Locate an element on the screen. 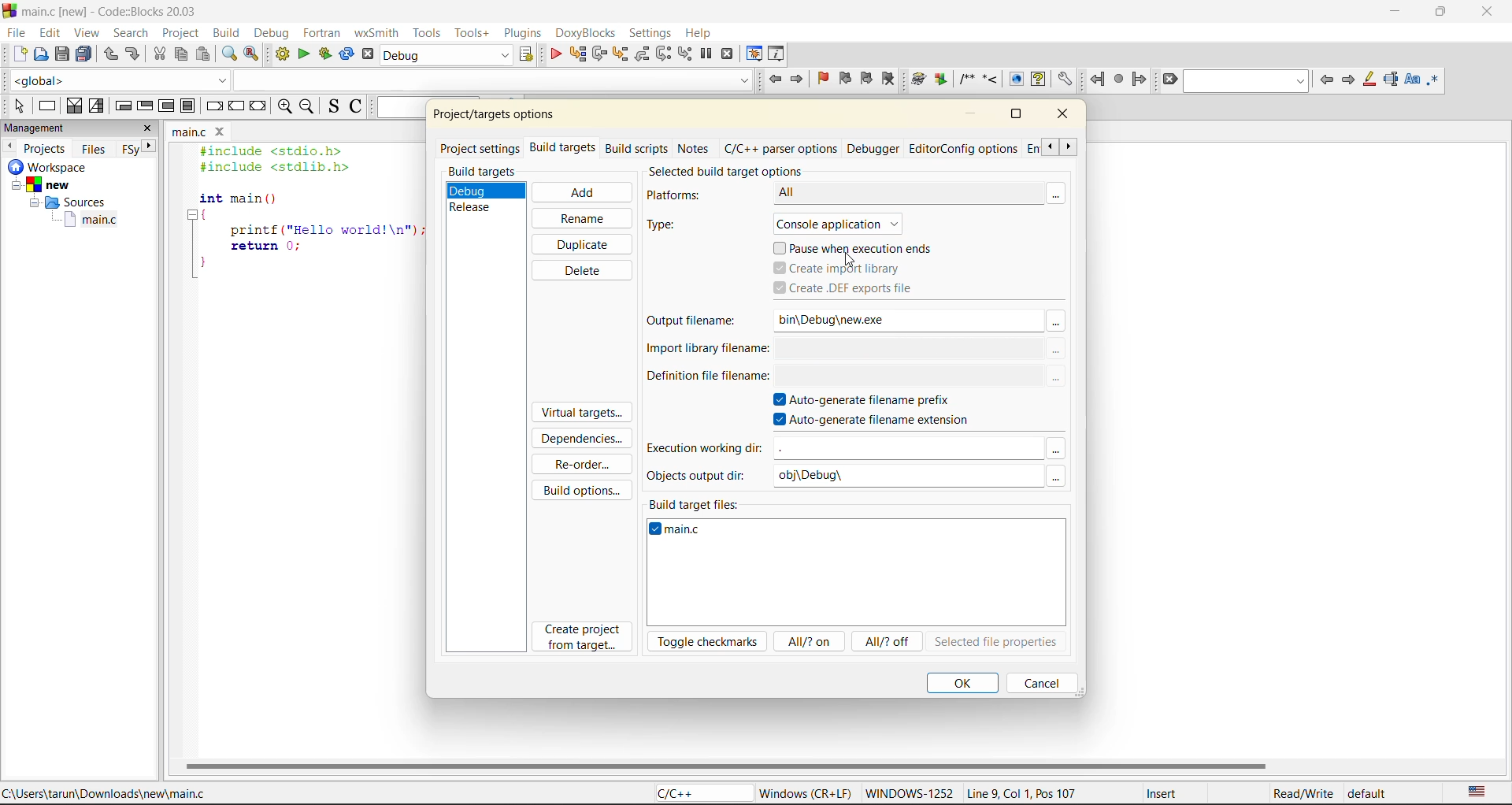 The width and height of the screenshot is (1512, 805). use regex is located at coordinates (1437, 79).